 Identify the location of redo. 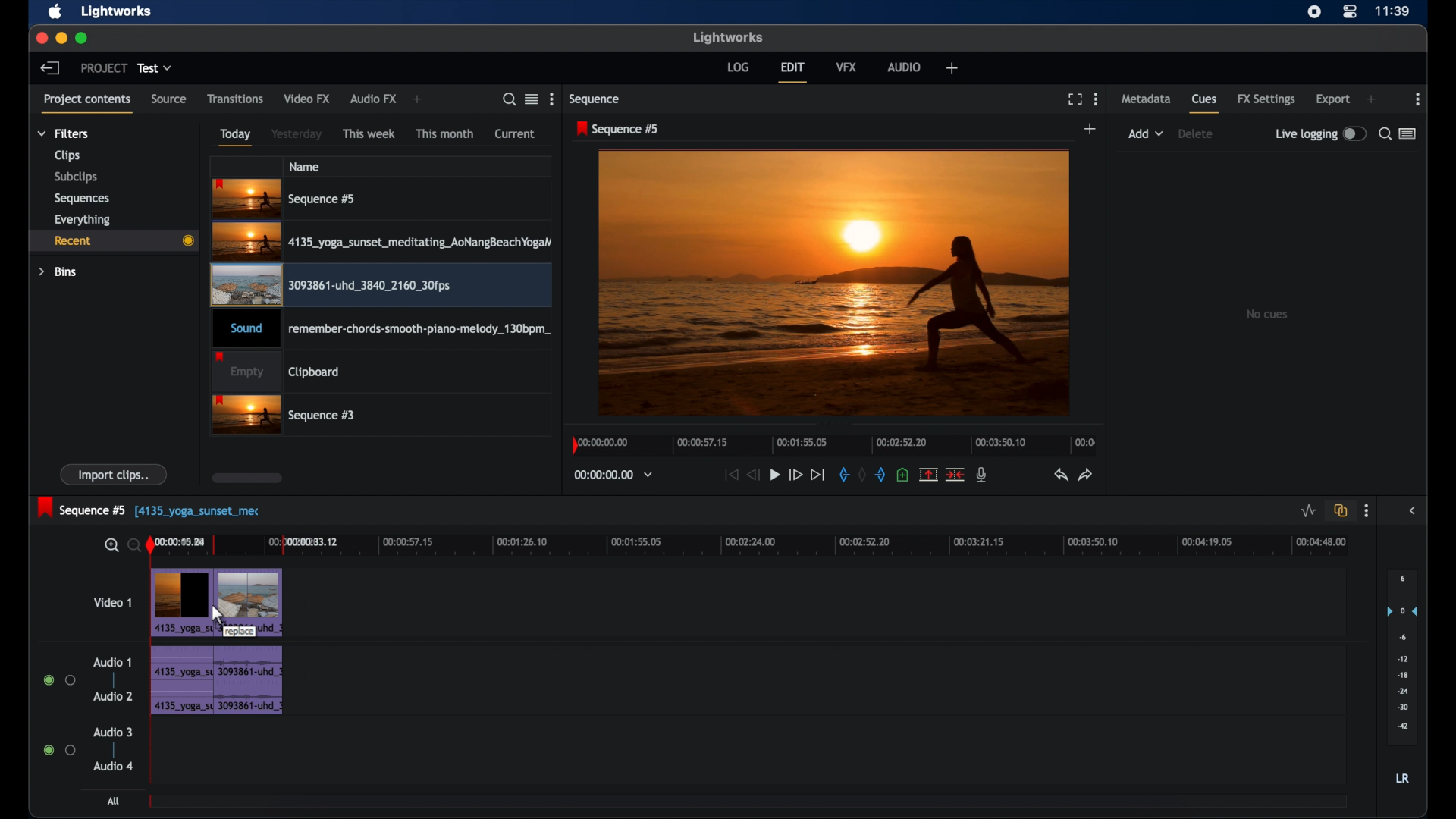
(1086, 475).